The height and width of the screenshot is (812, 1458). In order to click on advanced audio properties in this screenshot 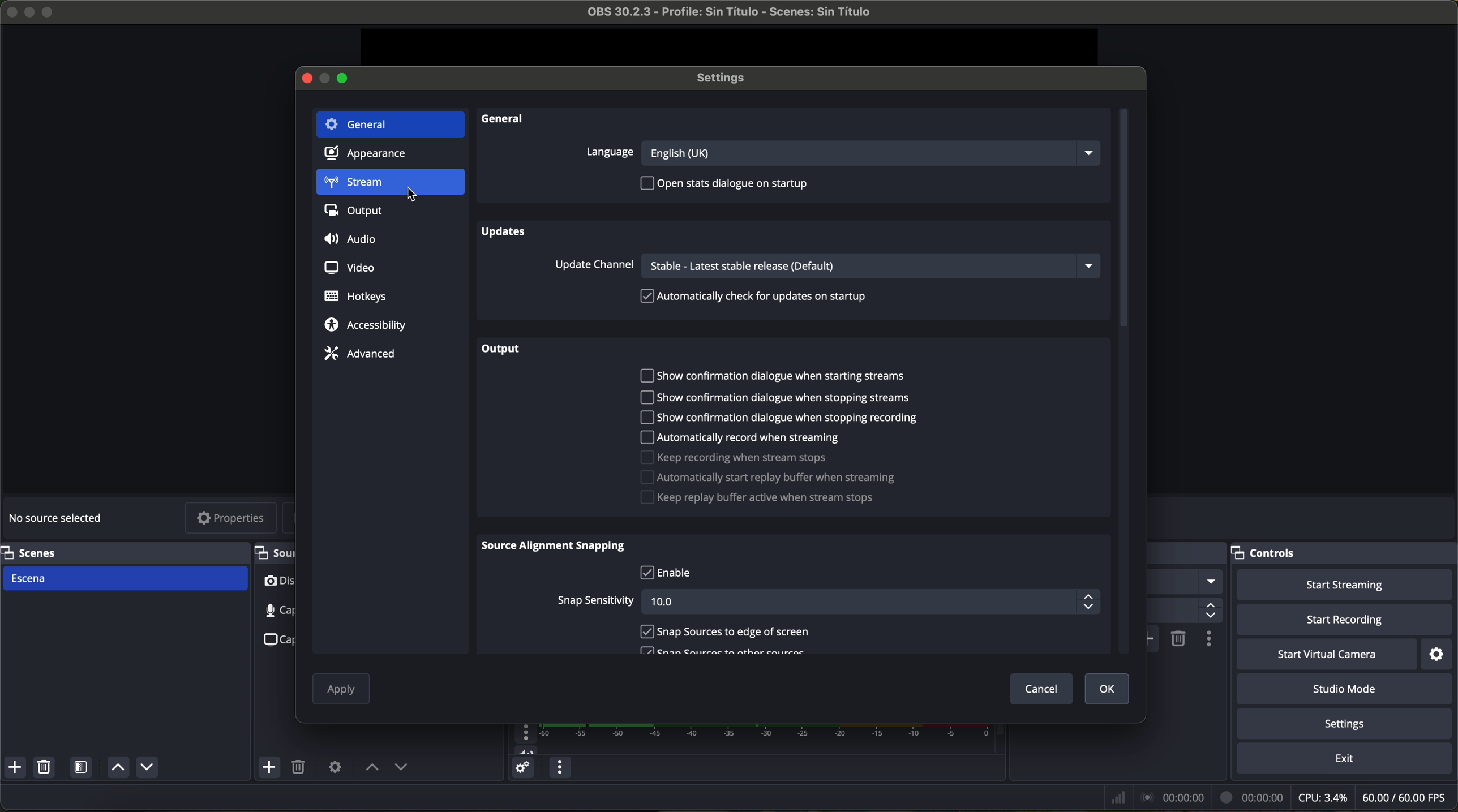, I will do `click(522, 770)`.